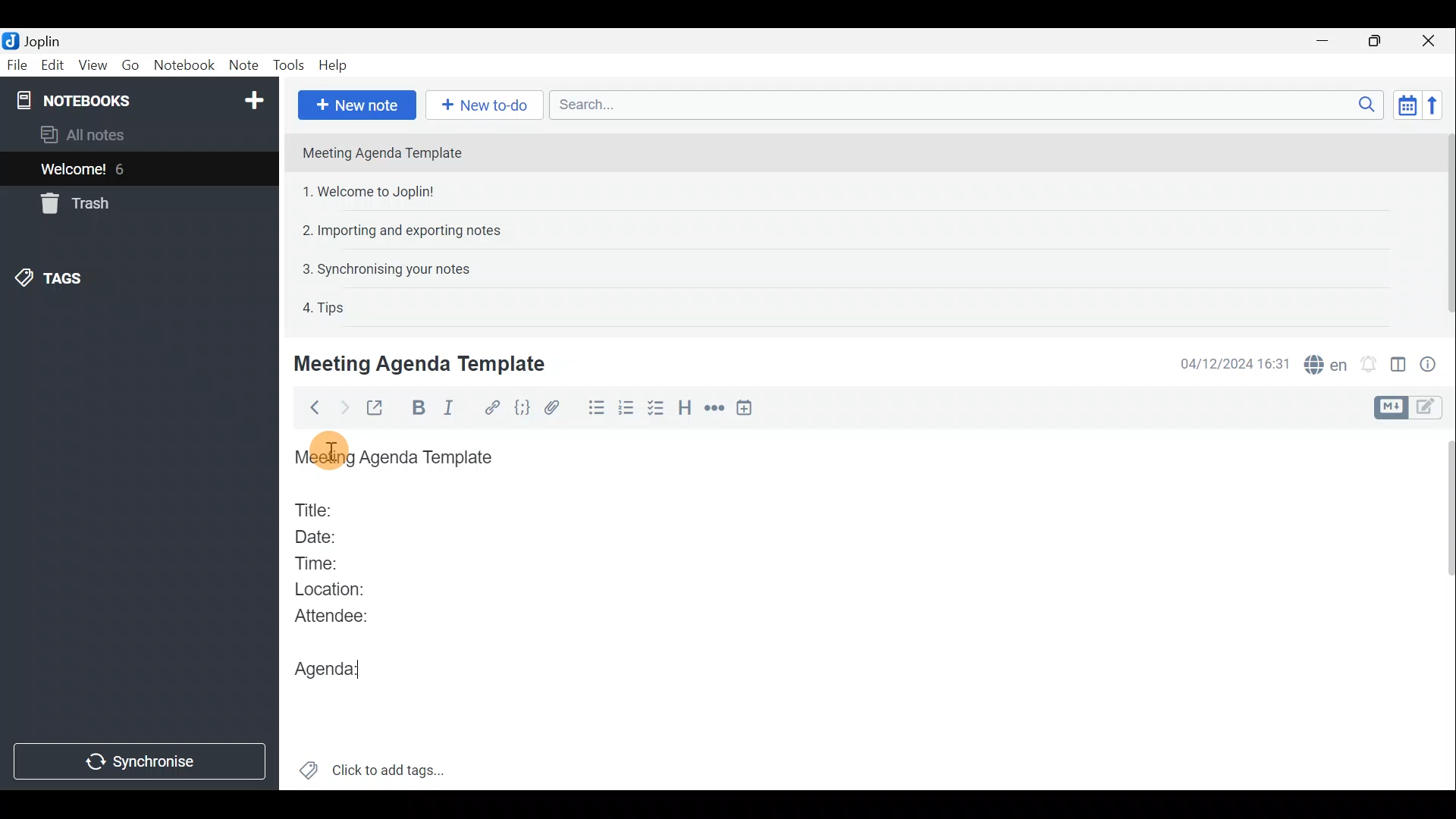 Image resolution: width=1456 pixels, height=819 pixels. I want to click on Meeting Agenda Template, so click(398, 458).